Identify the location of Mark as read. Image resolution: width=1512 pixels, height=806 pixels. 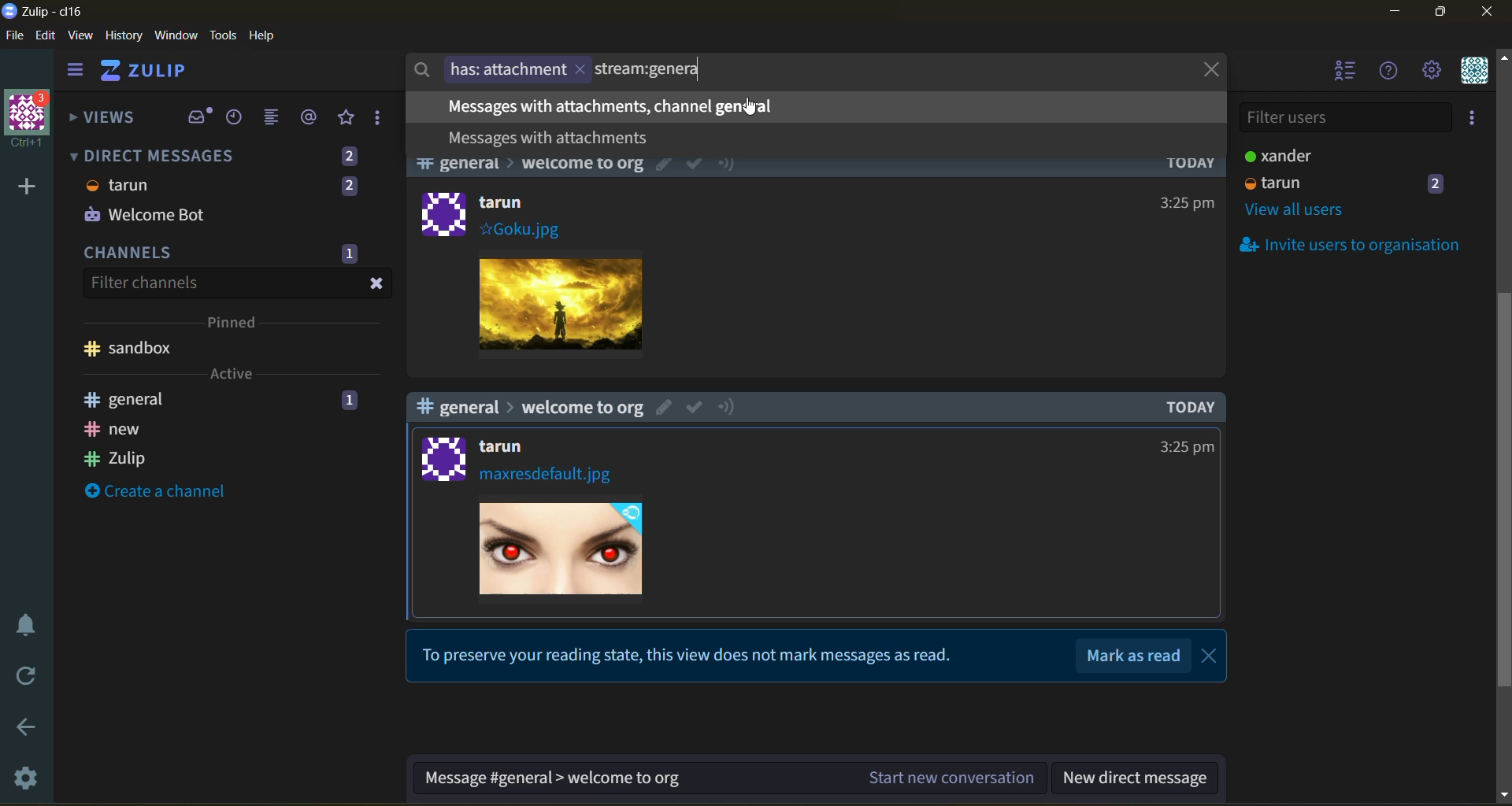
(1136, 655).